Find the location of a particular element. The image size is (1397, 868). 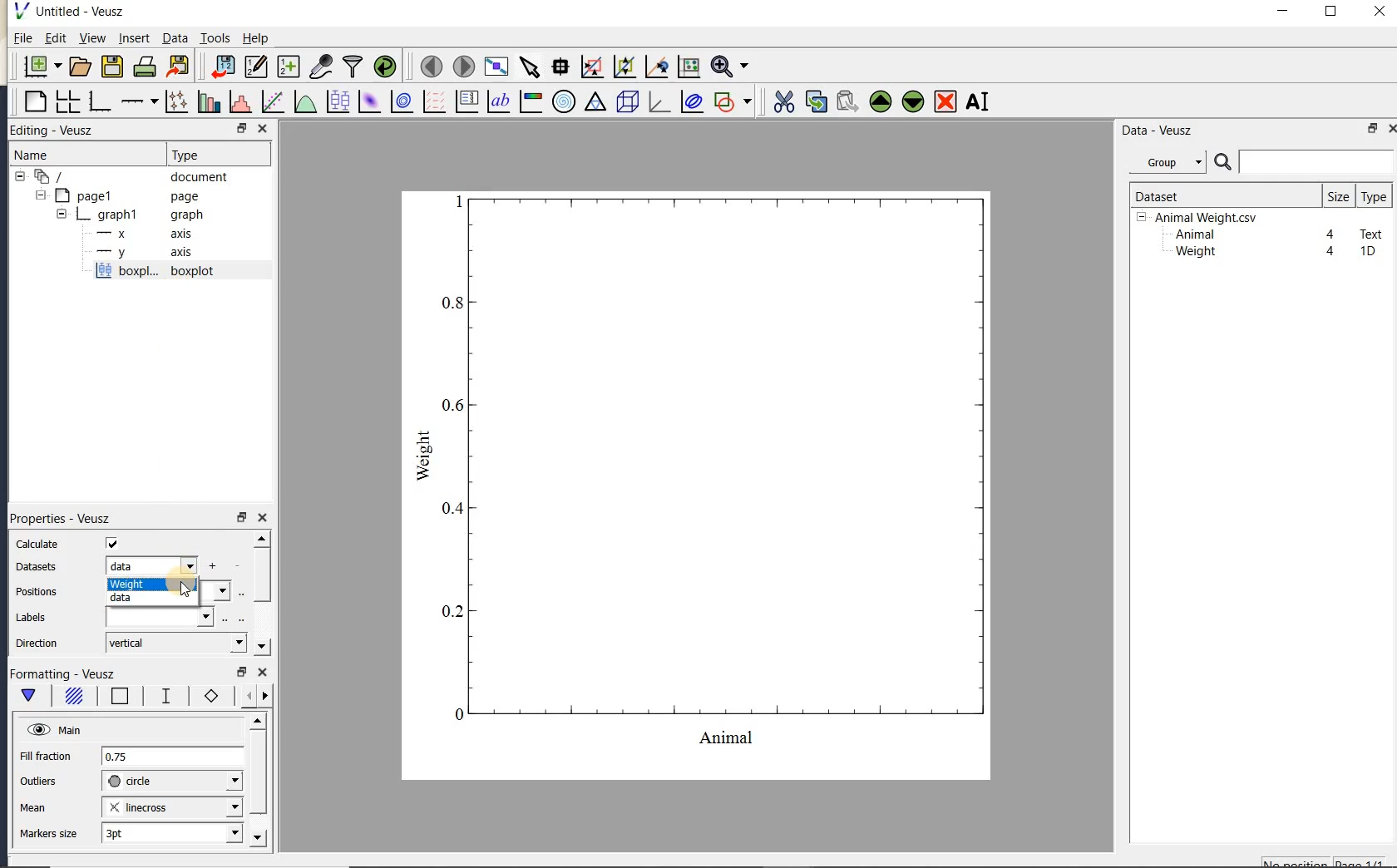

insert is located at coordinates (134, 37).